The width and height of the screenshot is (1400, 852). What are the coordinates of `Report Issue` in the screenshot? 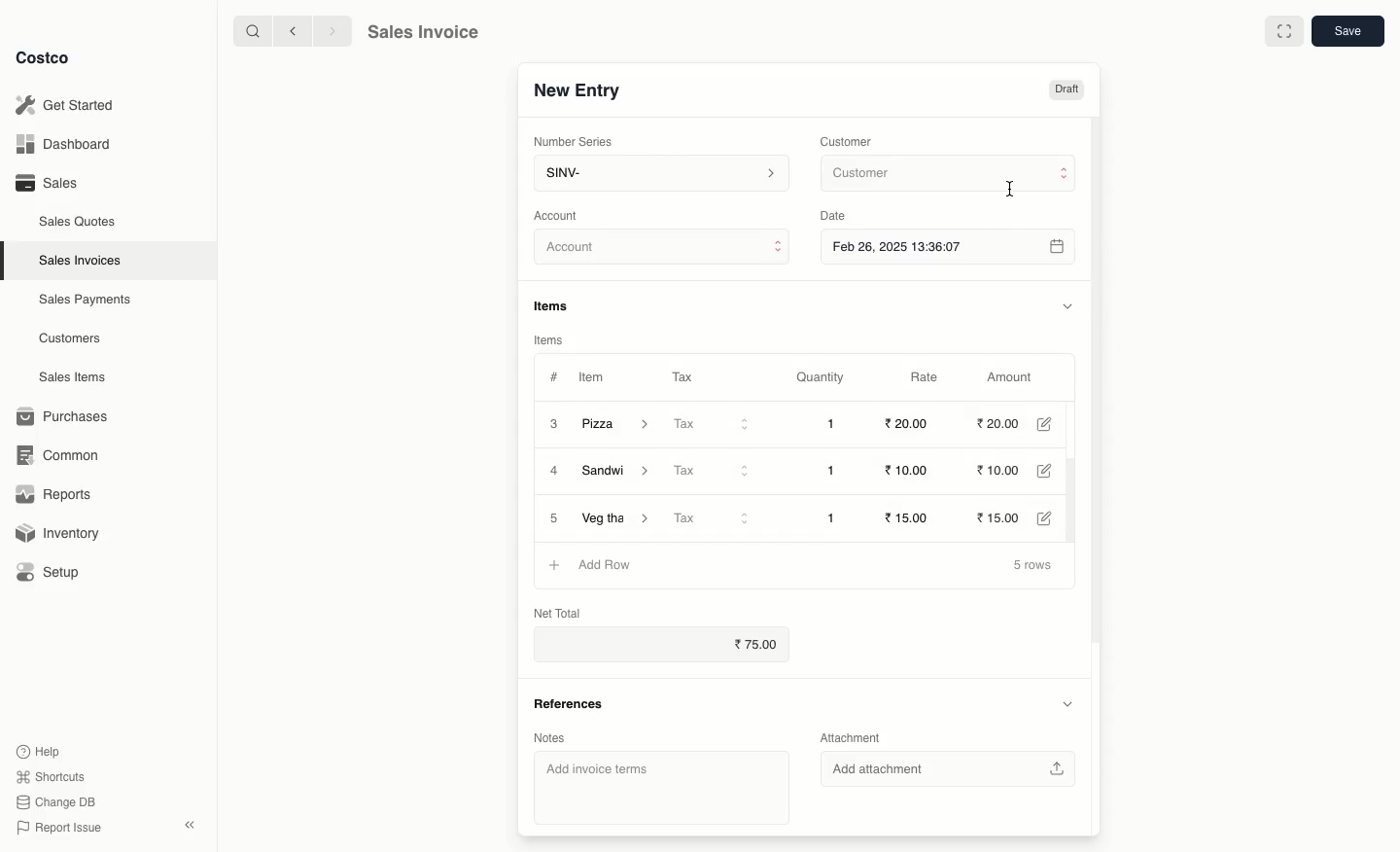 It's located at (55, 828).